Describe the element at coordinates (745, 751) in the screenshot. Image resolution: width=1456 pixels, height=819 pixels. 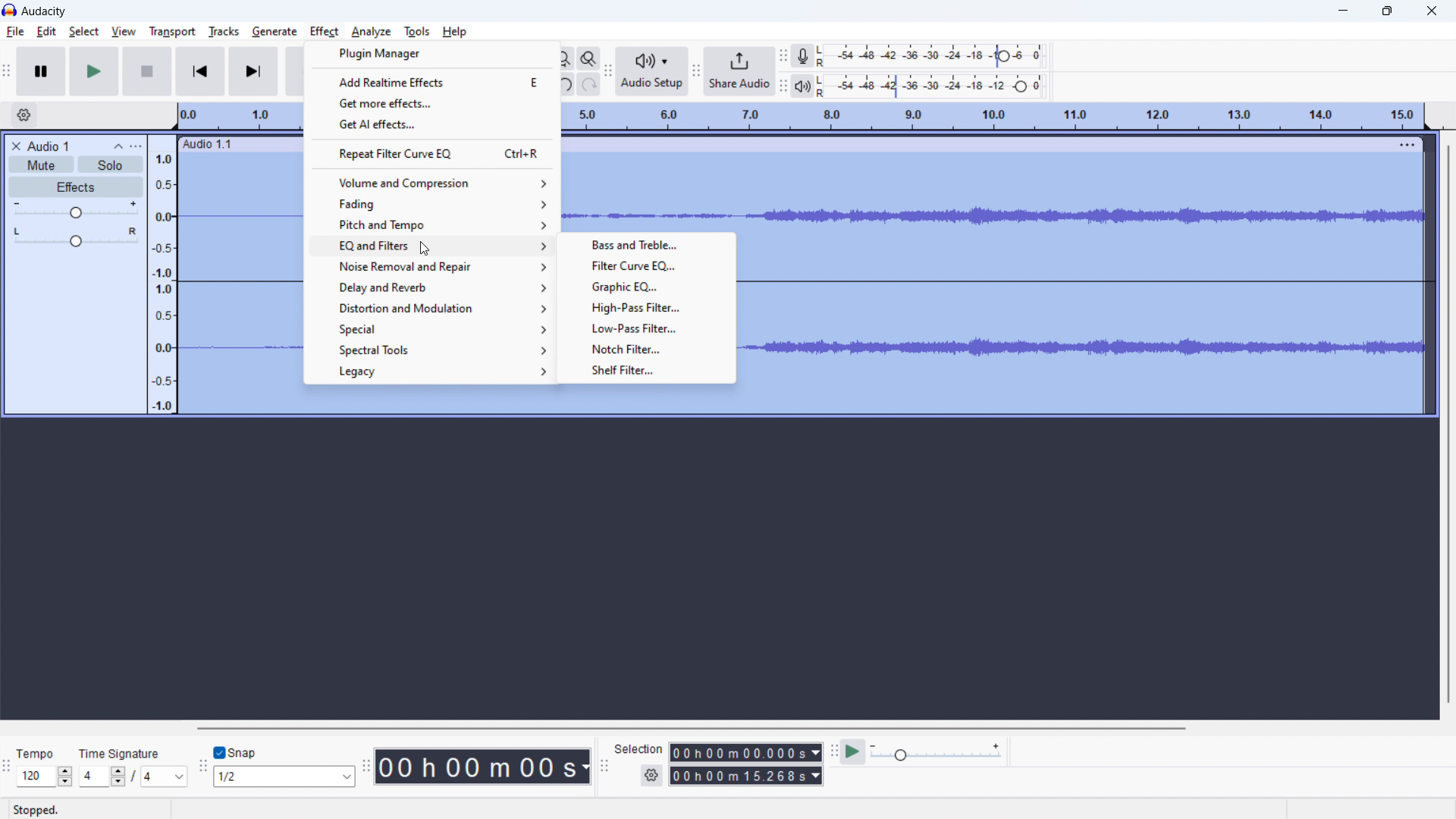
I see `00h00m00.000s (start time)` at that location.